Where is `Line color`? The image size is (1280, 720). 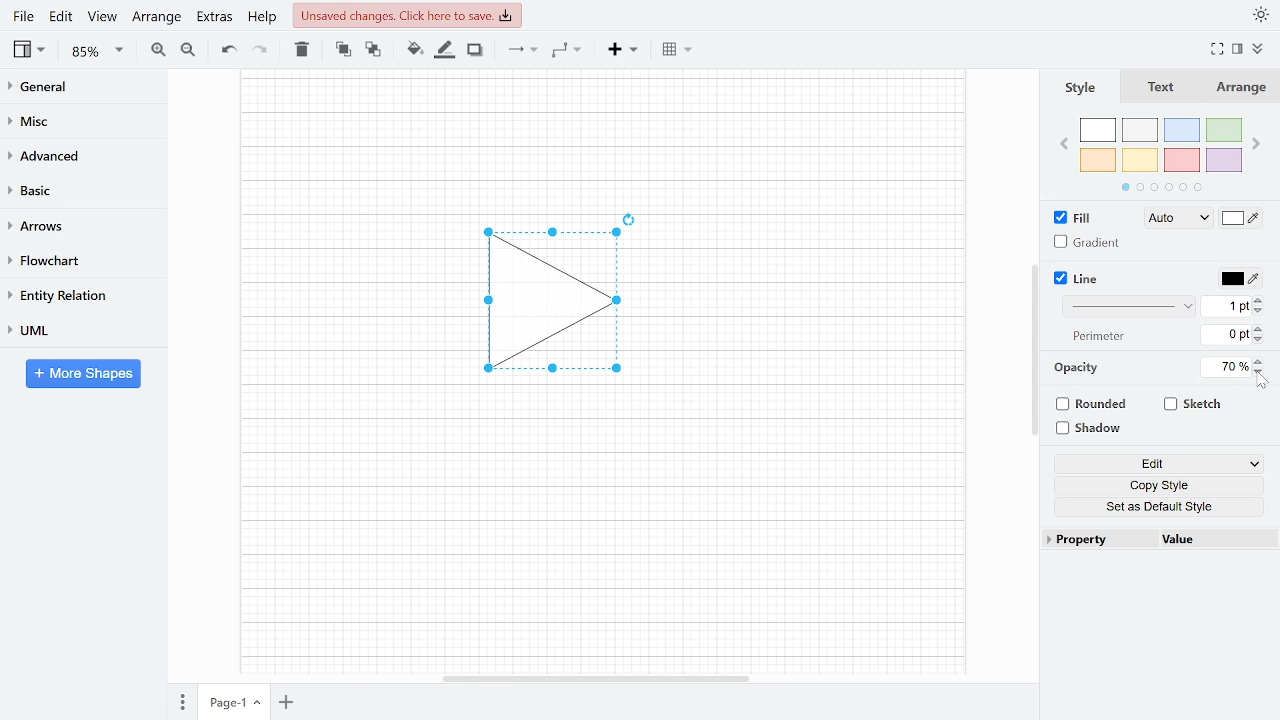 Line color is located at coordinates (1238, 276).